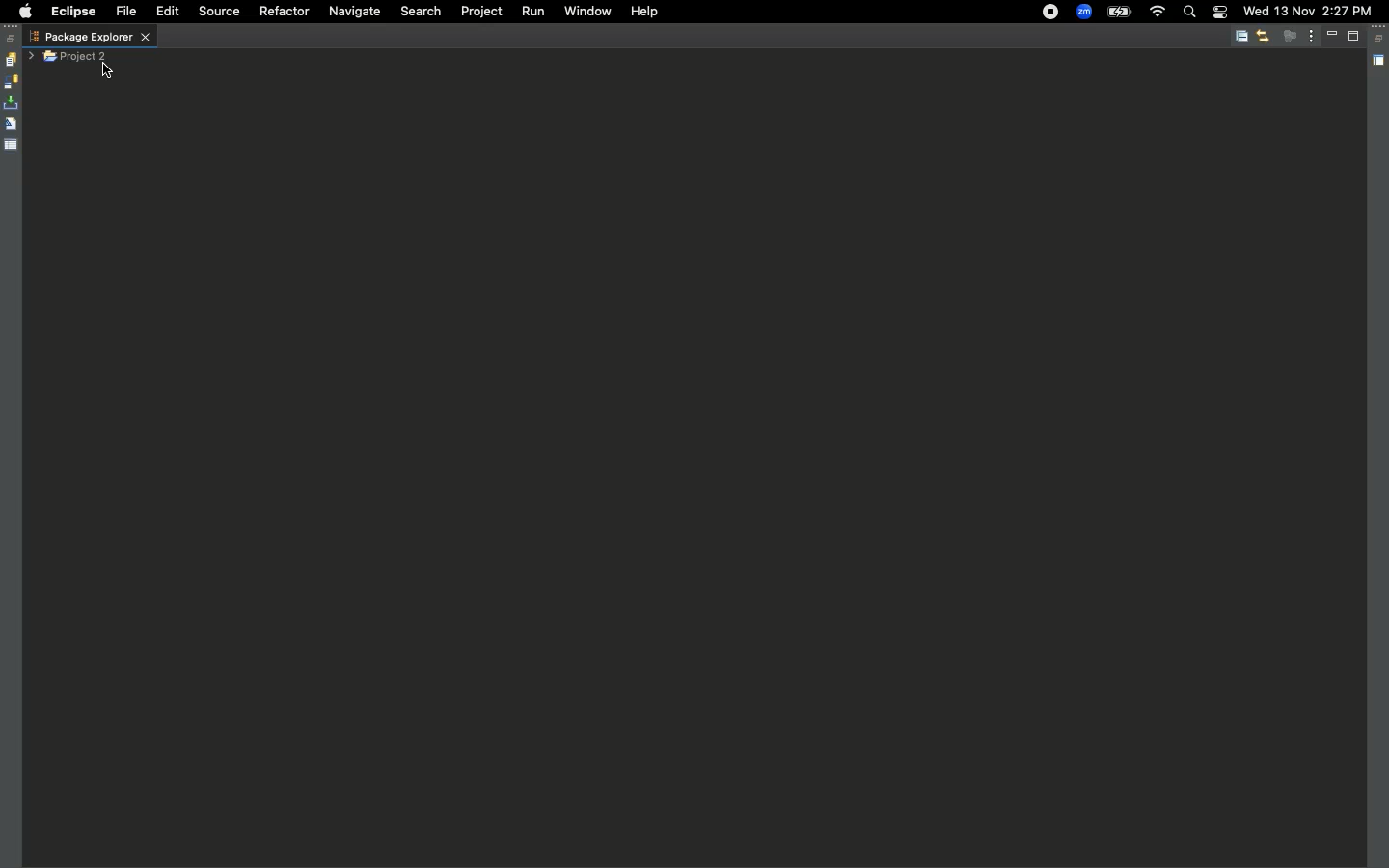  Describe the element at coordinates (1335, 36) in the screenshot. I see `Minimize` at that location.